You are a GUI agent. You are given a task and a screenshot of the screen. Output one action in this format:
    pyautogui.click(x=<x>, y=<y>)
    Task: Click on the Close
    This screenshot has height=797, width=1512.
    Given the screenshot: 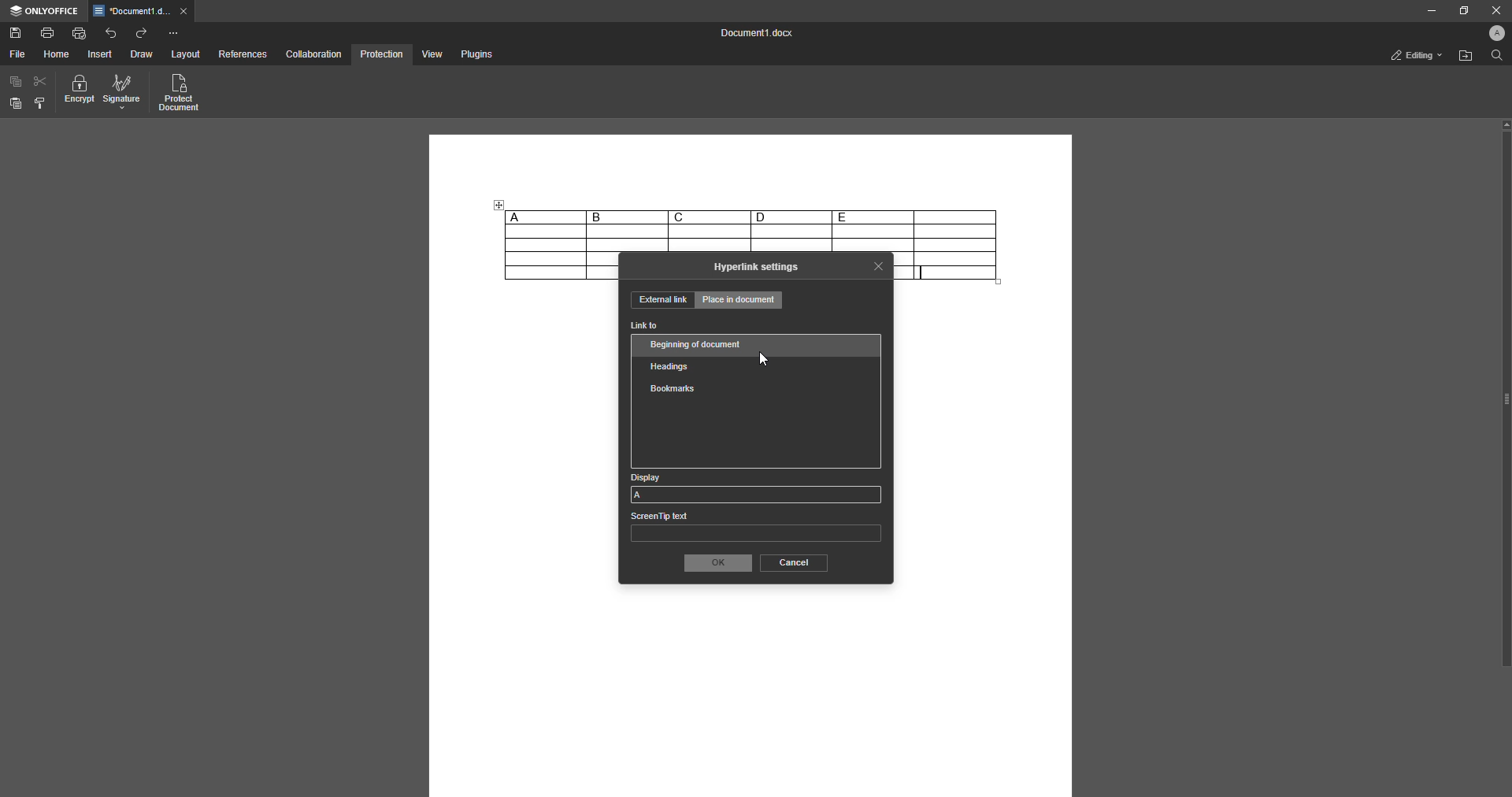 What is the action you would take?
    pyautogui.click(x=1493, y=10)
    